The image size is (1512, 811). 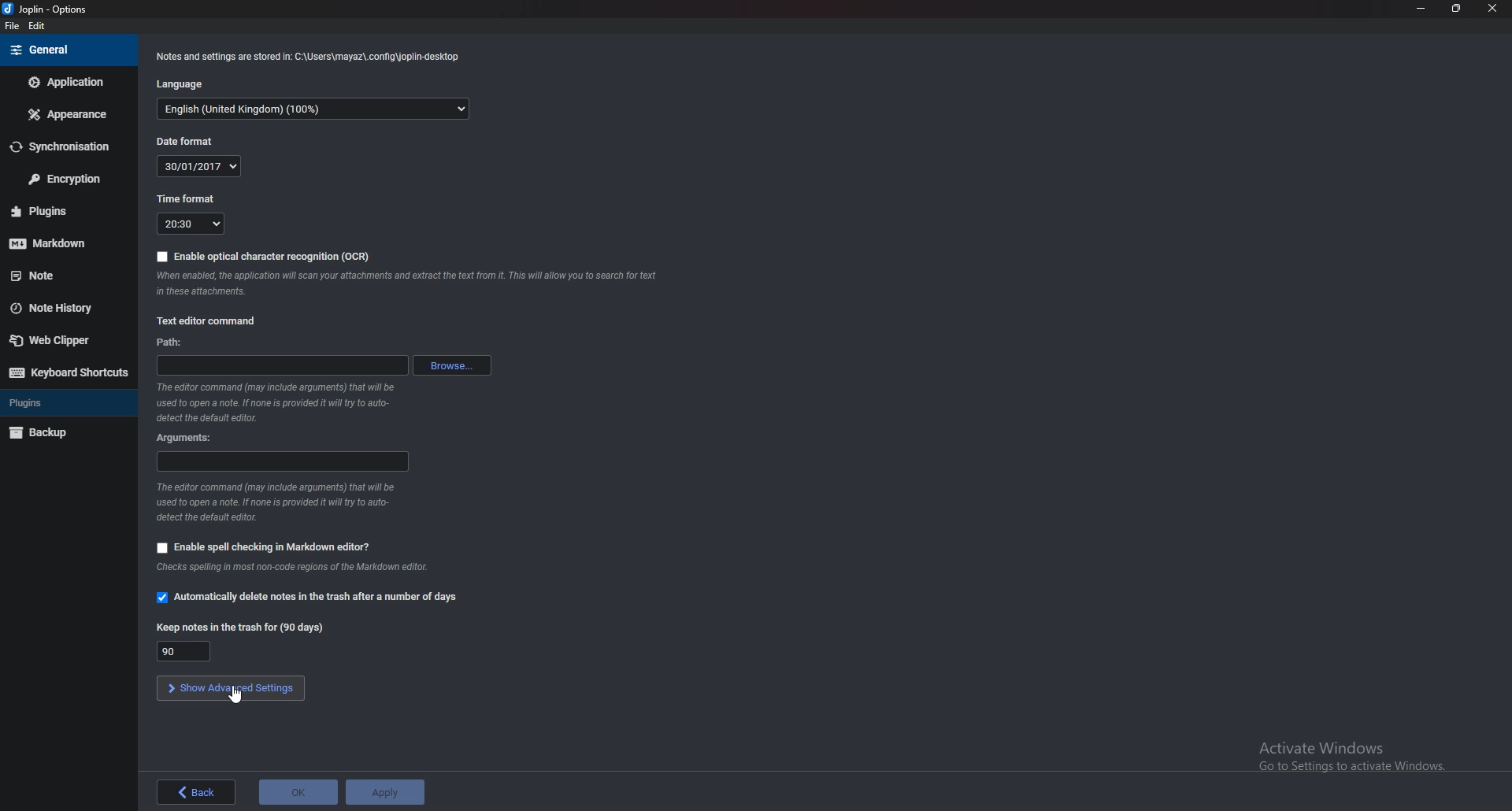 What do you see at coordinates (185, 652) in the screenshot?
I see `90 days` at bounding box center [185, 652].